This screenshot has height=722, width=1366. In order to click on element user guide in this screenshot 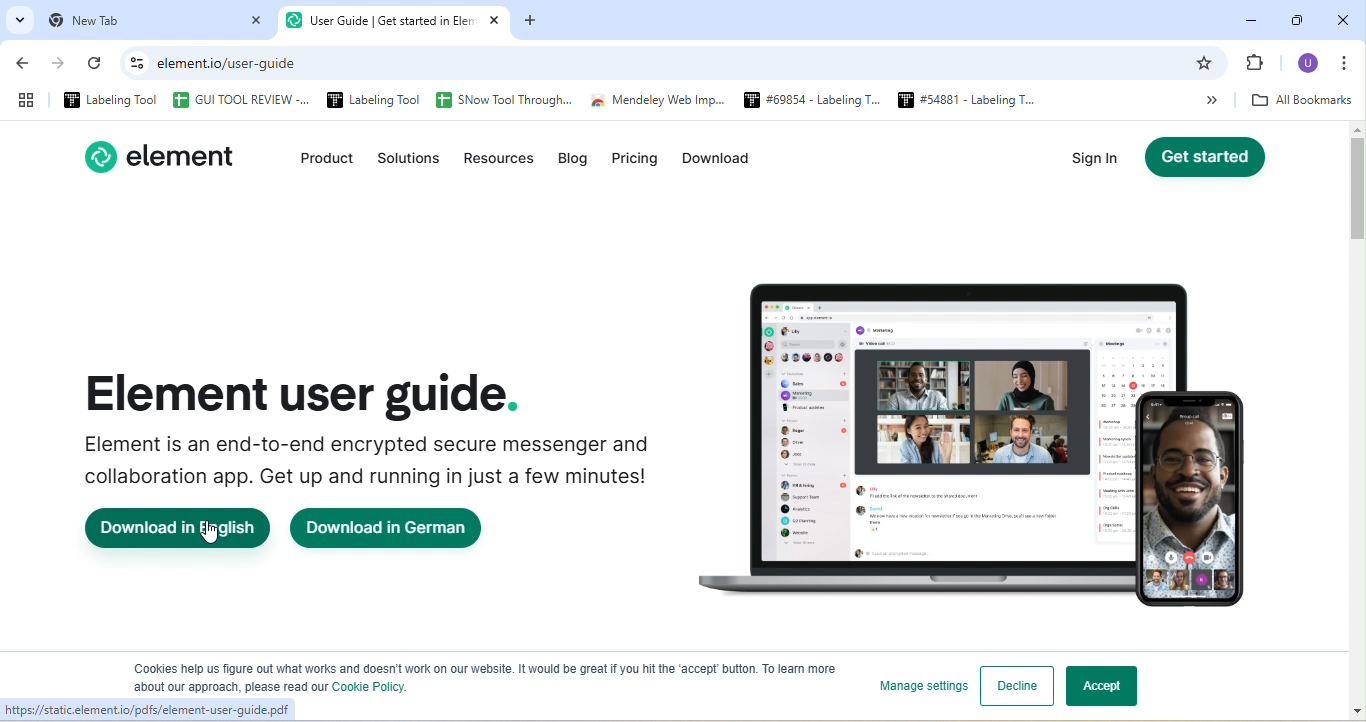, I will do `click(308, 391)`.